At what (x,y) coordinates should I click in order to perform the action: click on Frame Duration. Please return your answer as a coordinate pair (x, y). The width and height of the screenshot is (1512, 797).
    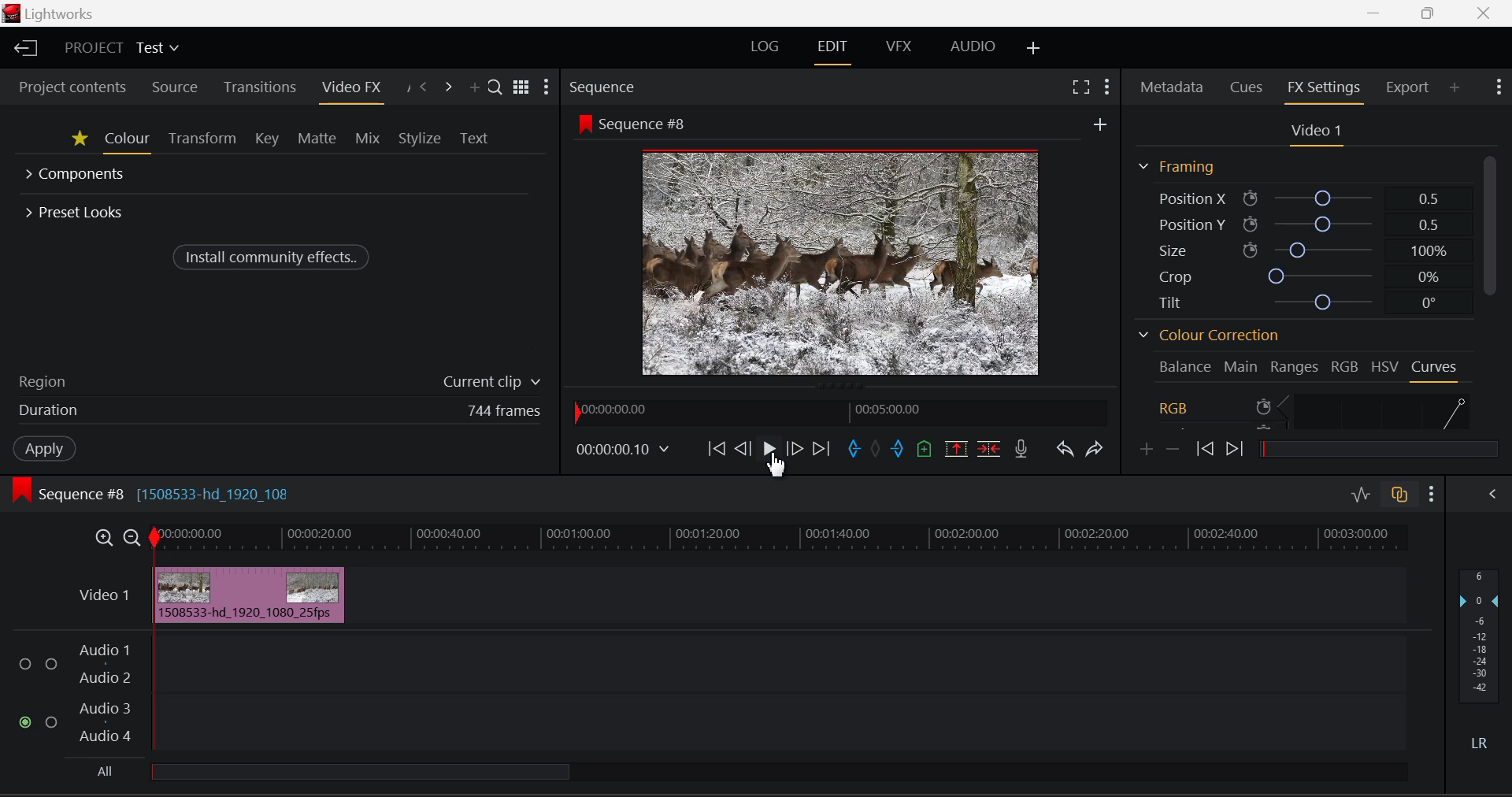
    Looking at the image, I should click on (280, 411).